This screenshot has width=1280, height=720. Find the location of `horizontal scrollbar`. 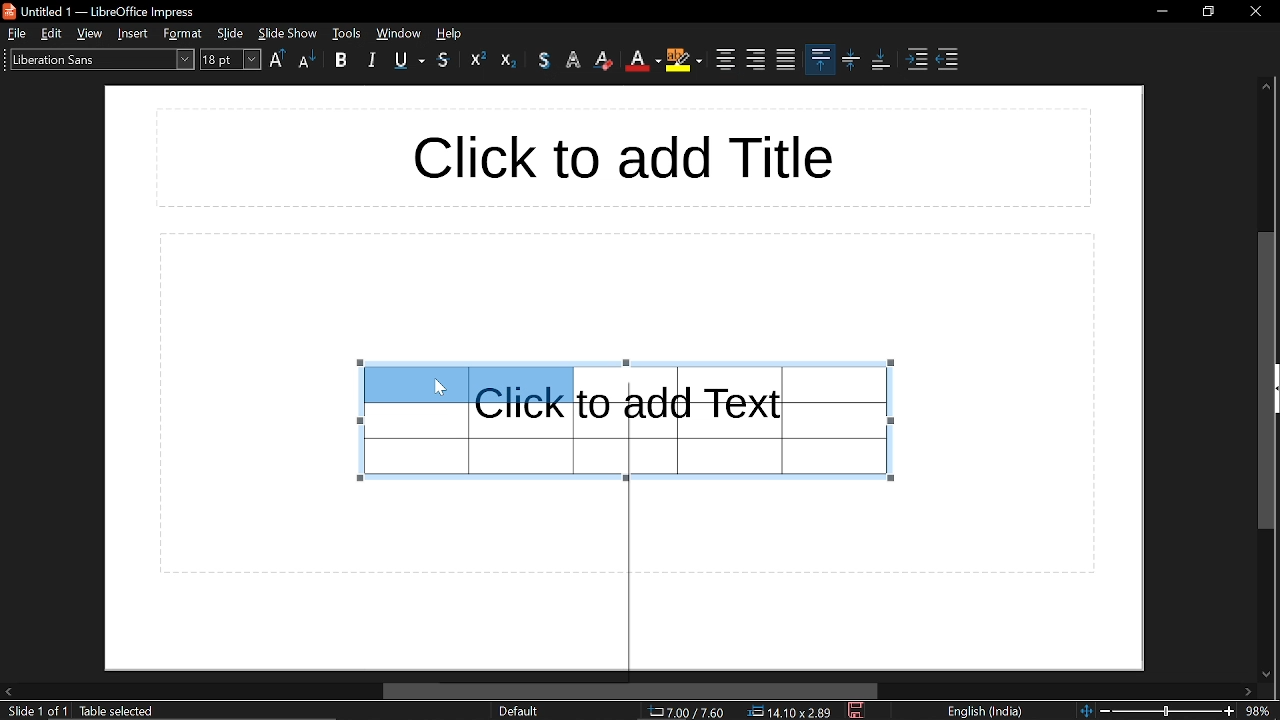

horizontal scrollbar is located at coordinates (631, 691).